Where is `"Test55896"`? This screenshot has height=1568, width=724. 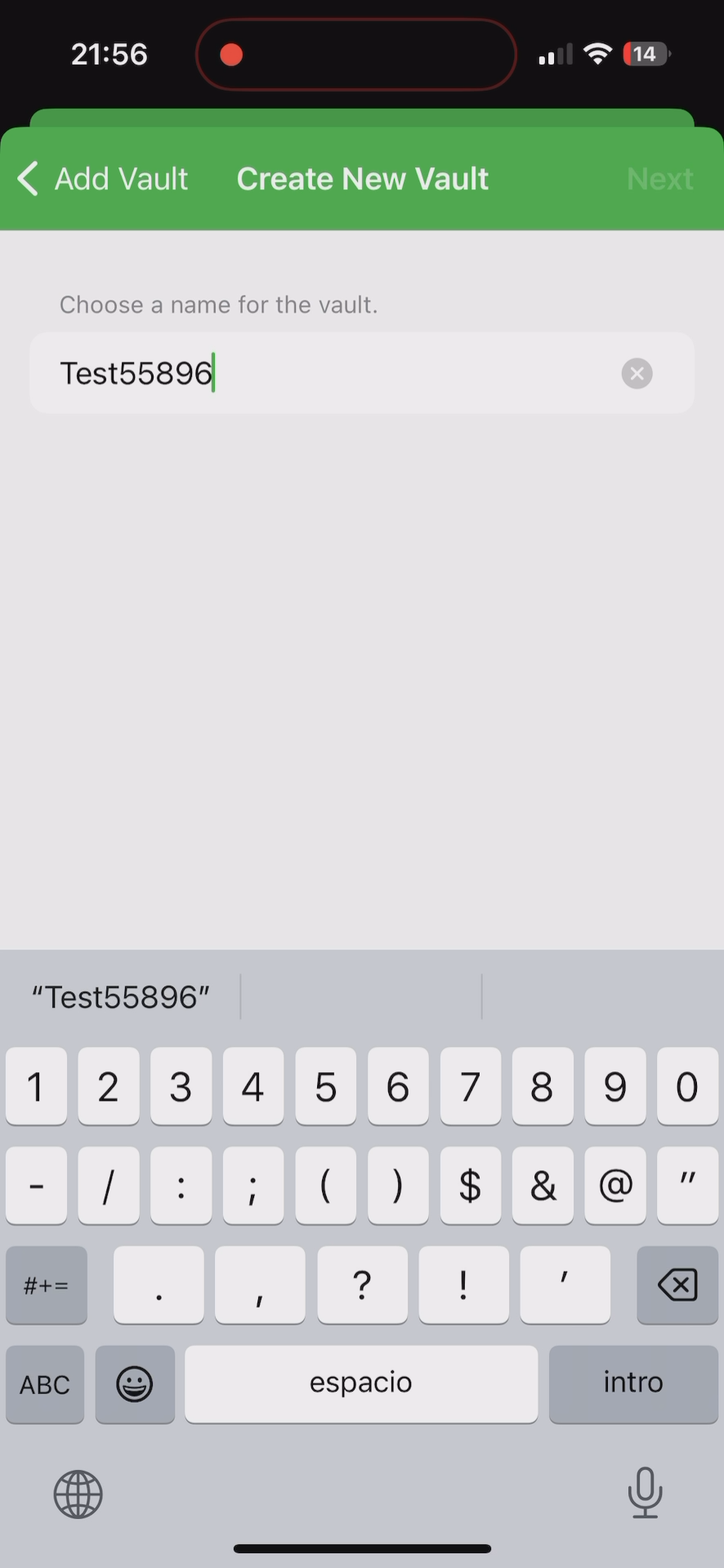
"Test55896" is located at coordinates (123, 1000).